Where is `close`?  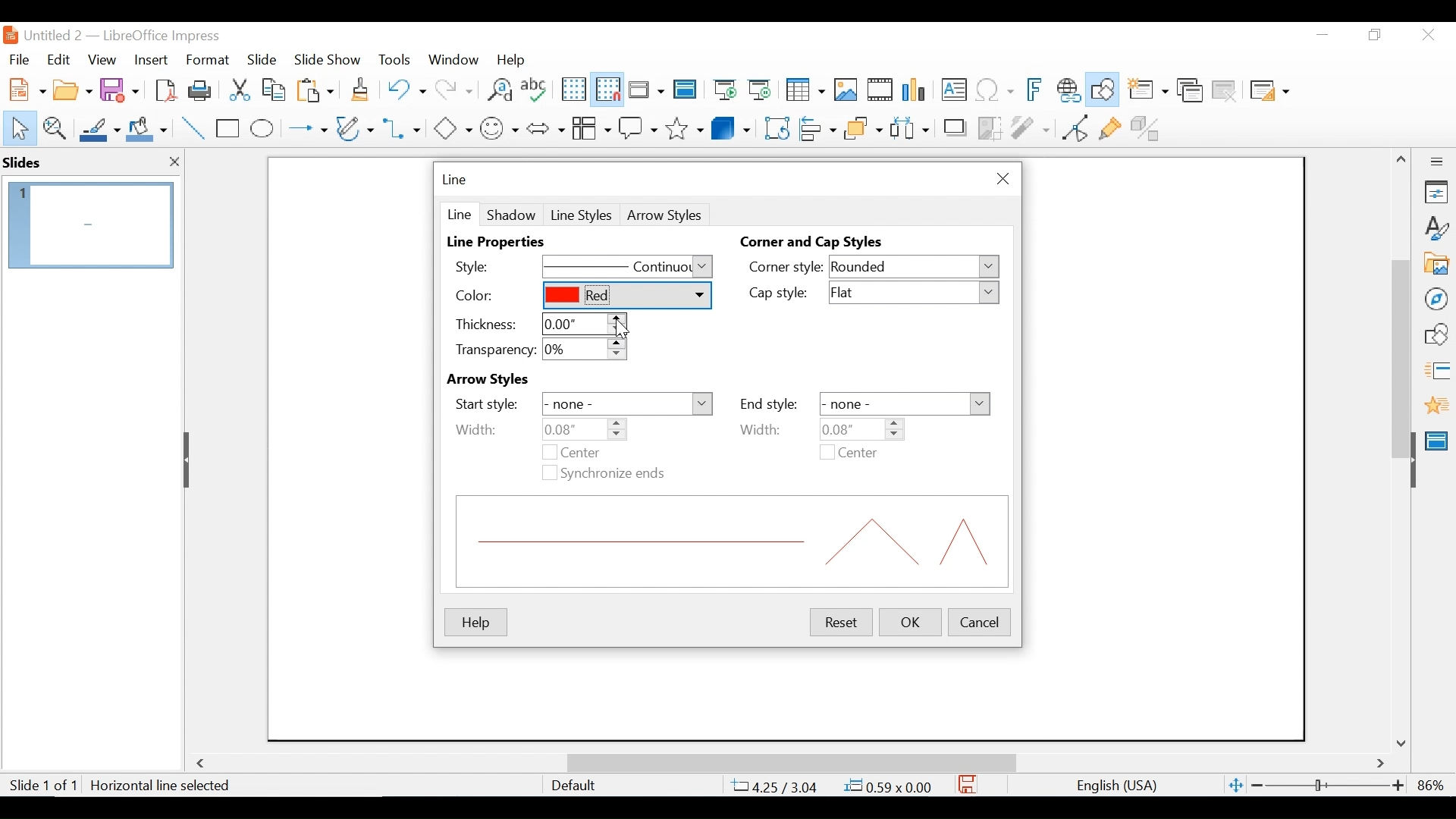
close is located at coordinates (175, 162).